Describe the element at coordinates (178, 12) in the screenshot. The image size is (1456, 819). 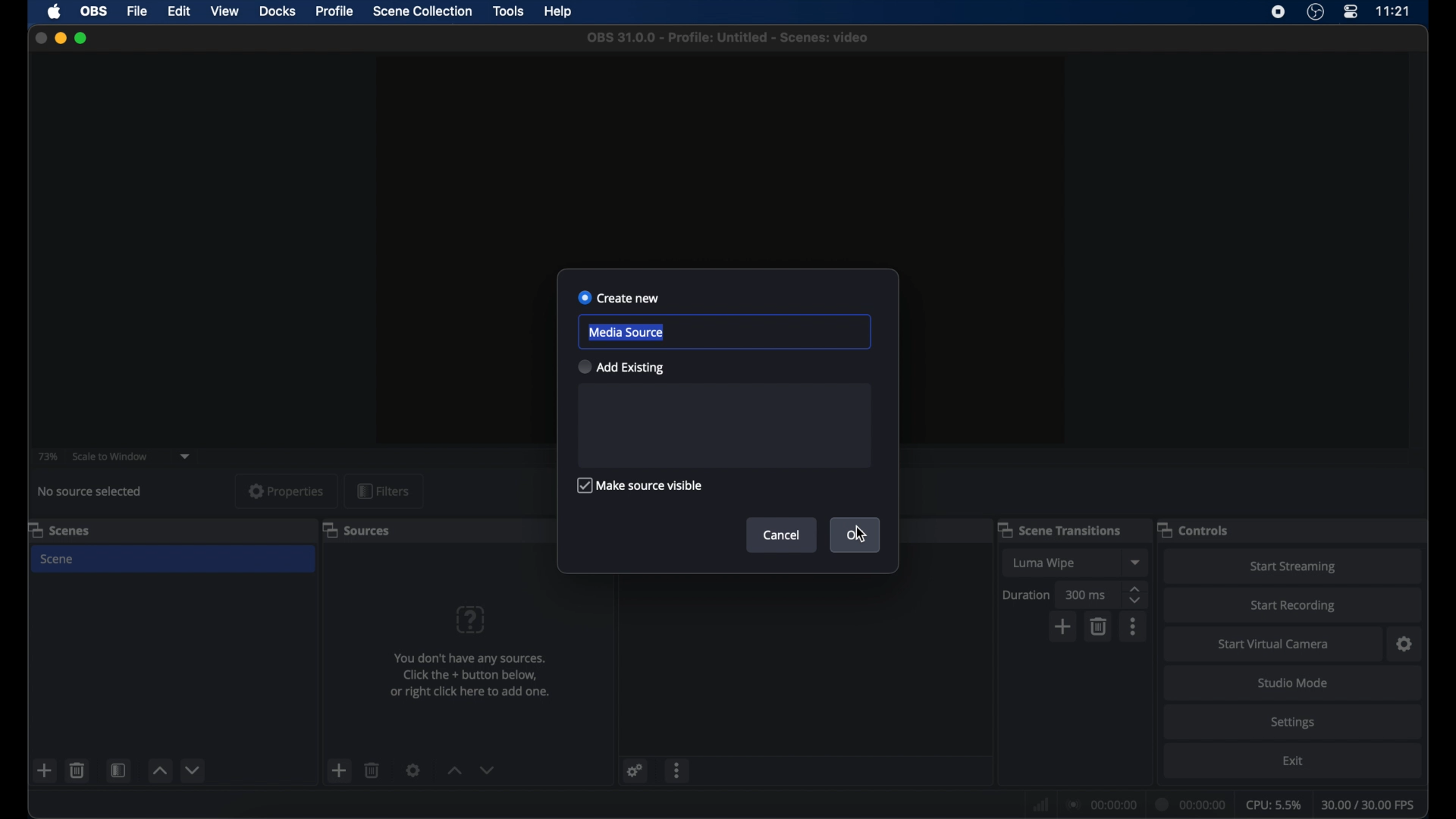
I see `edit` at that location.